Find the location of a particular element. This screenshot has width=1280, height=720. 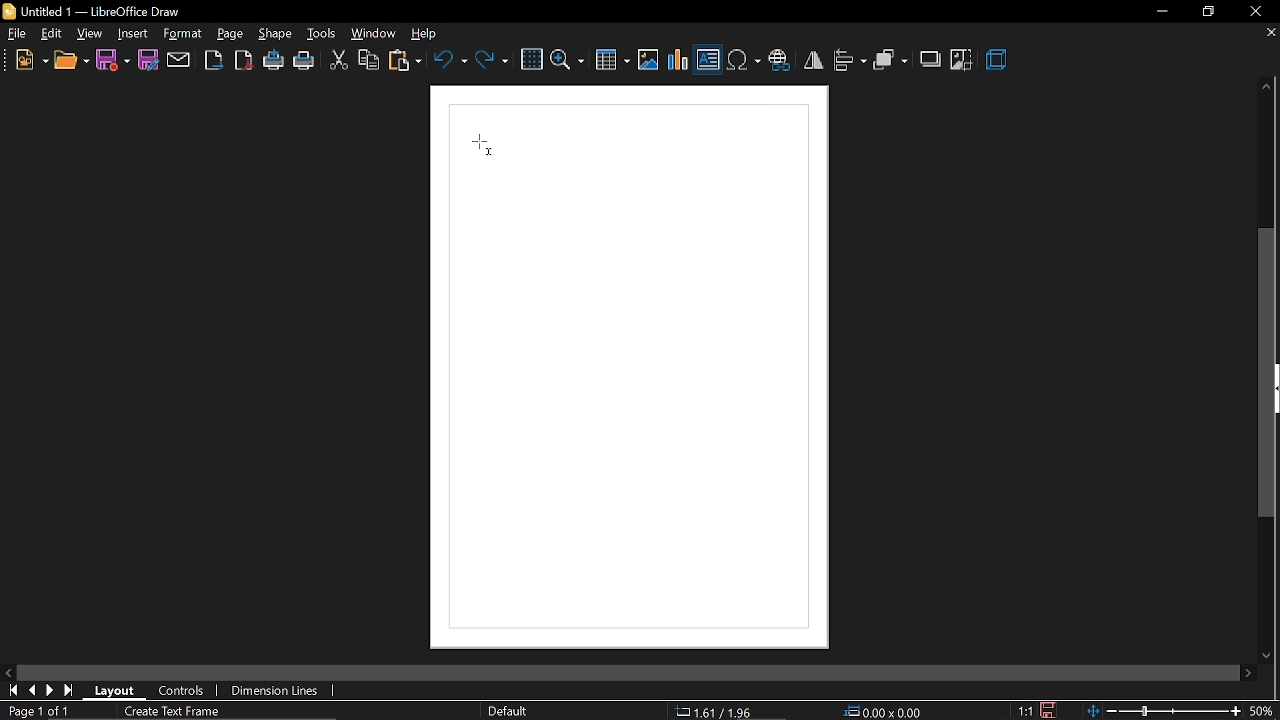

scaling factor is located at coordinates (1026, 711).